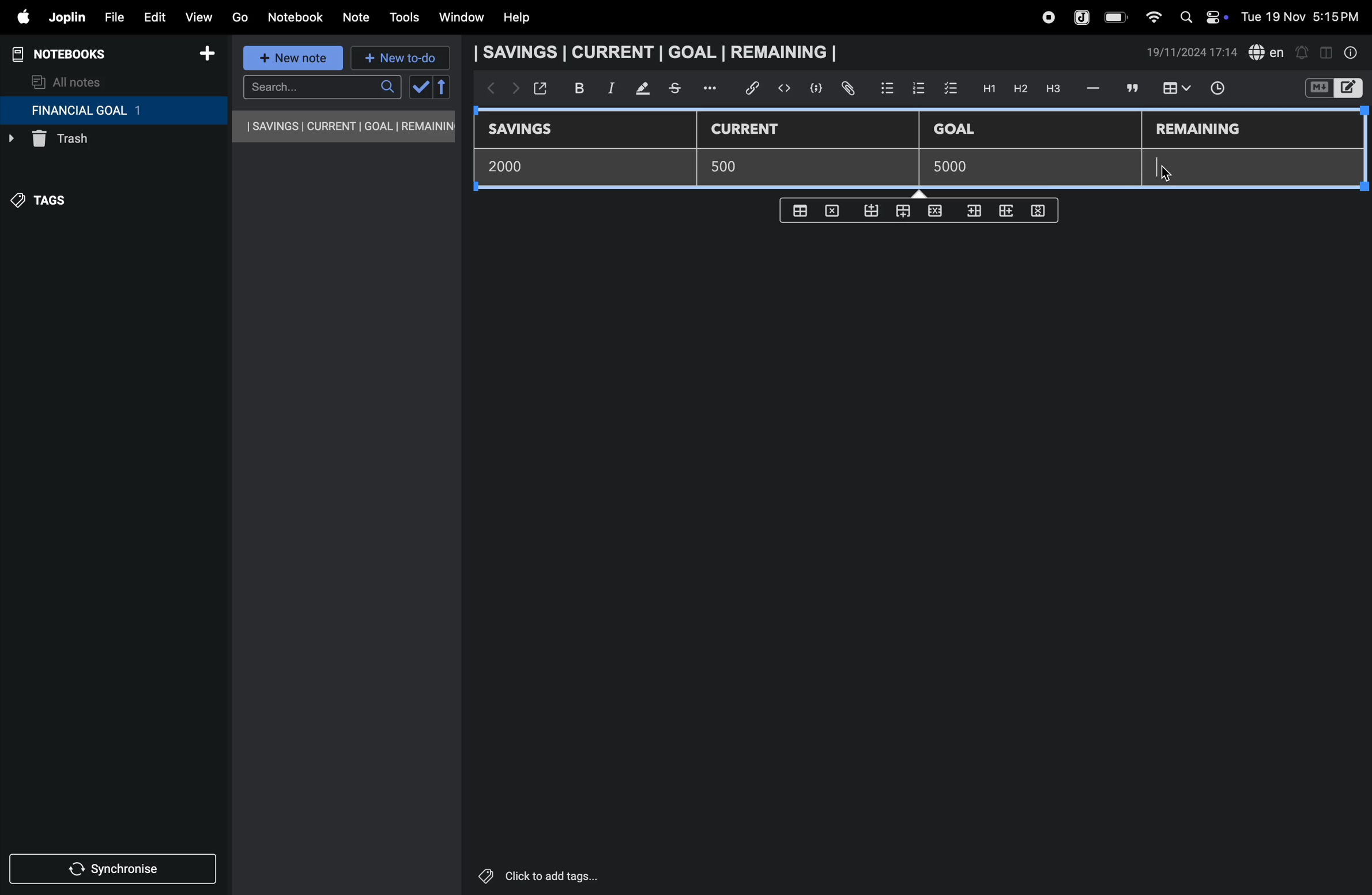 This screenshot has width=1372, height=895. What do you see at coordinates (113, 111) in the screenshot?
I see `financial goal` at bounding box center [113, 111].